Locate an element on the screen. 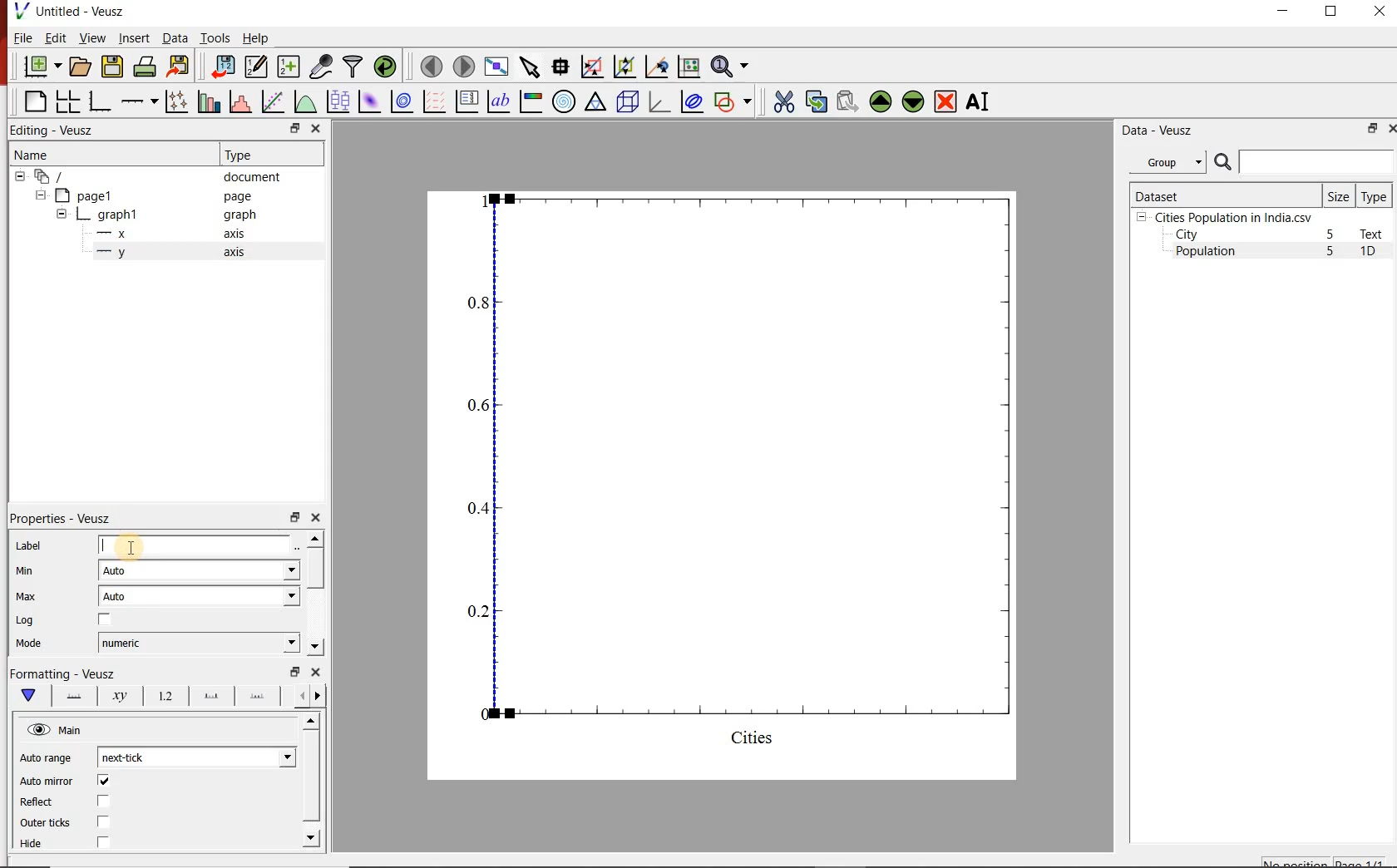 The image size is (1397, 868). input field is located at coordinates (199, 545).